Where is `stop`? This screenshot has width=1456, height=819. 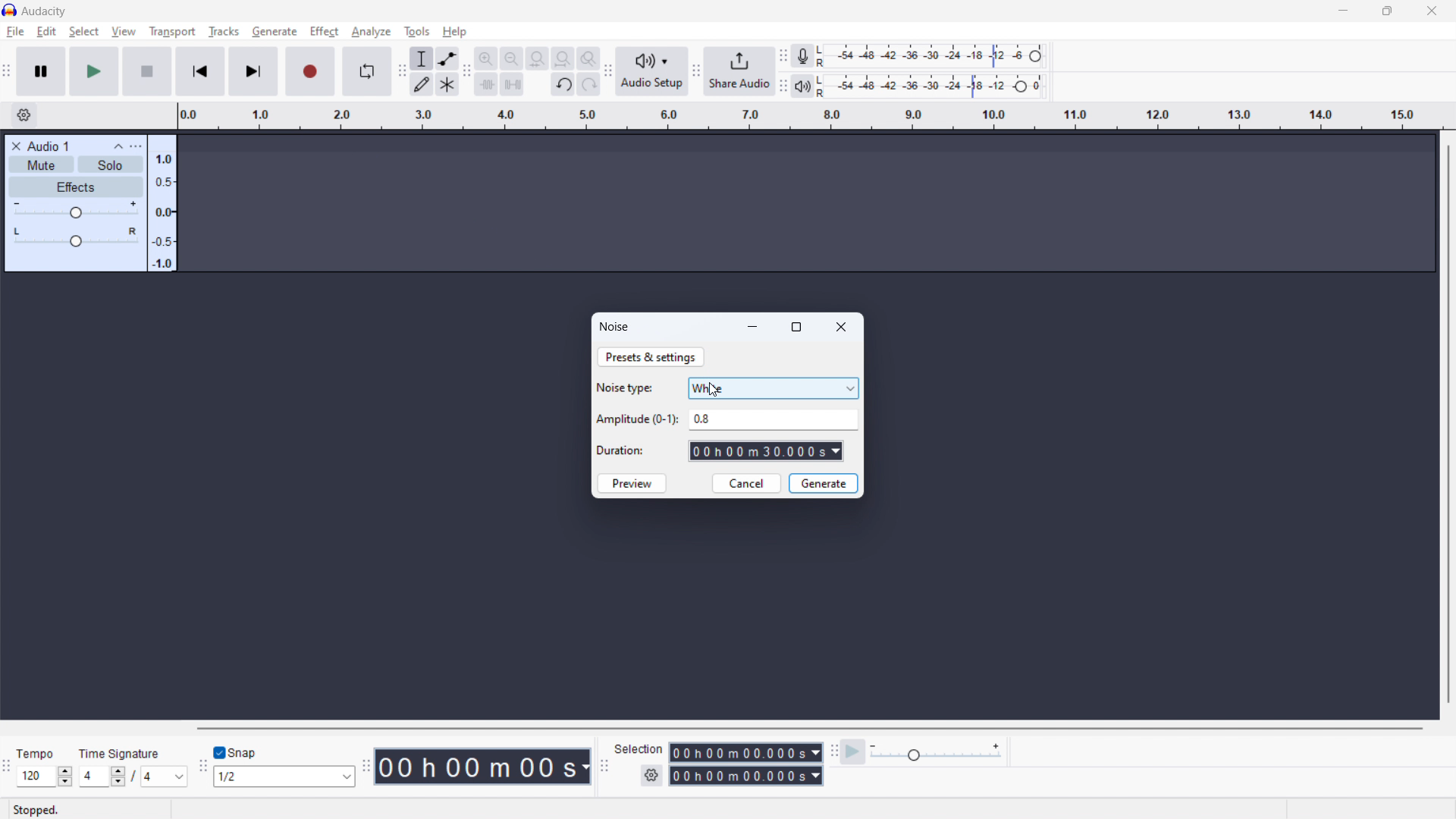
stop is located at coordinates (147, 72).